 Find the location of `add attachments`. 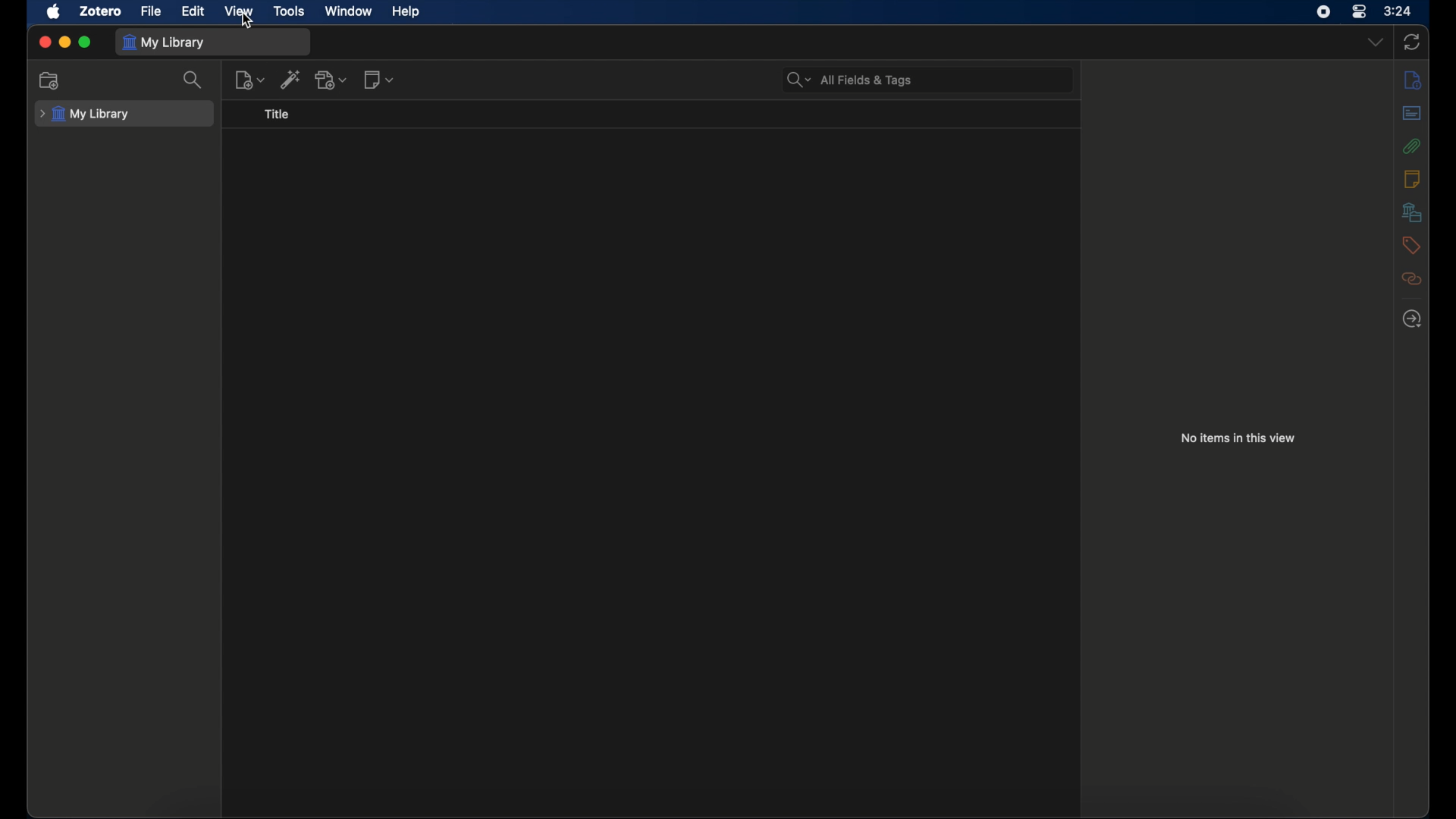

add attachments is located at coordinates (331, 79).